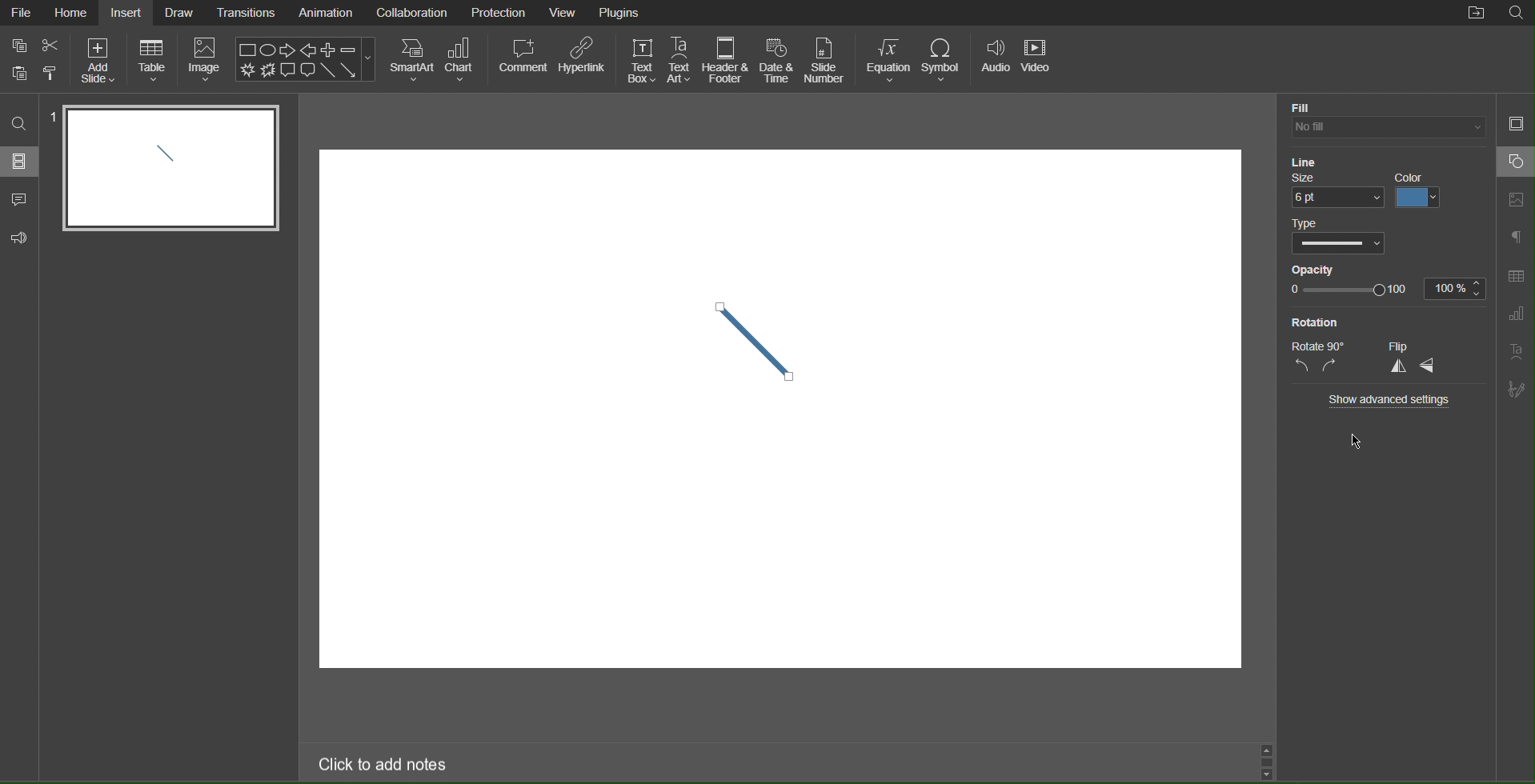 This screenshot has width=1535, height=784. Describe the element at coordinates (1348, 290) in the screenshot. I see `Opacity slider` at that location.